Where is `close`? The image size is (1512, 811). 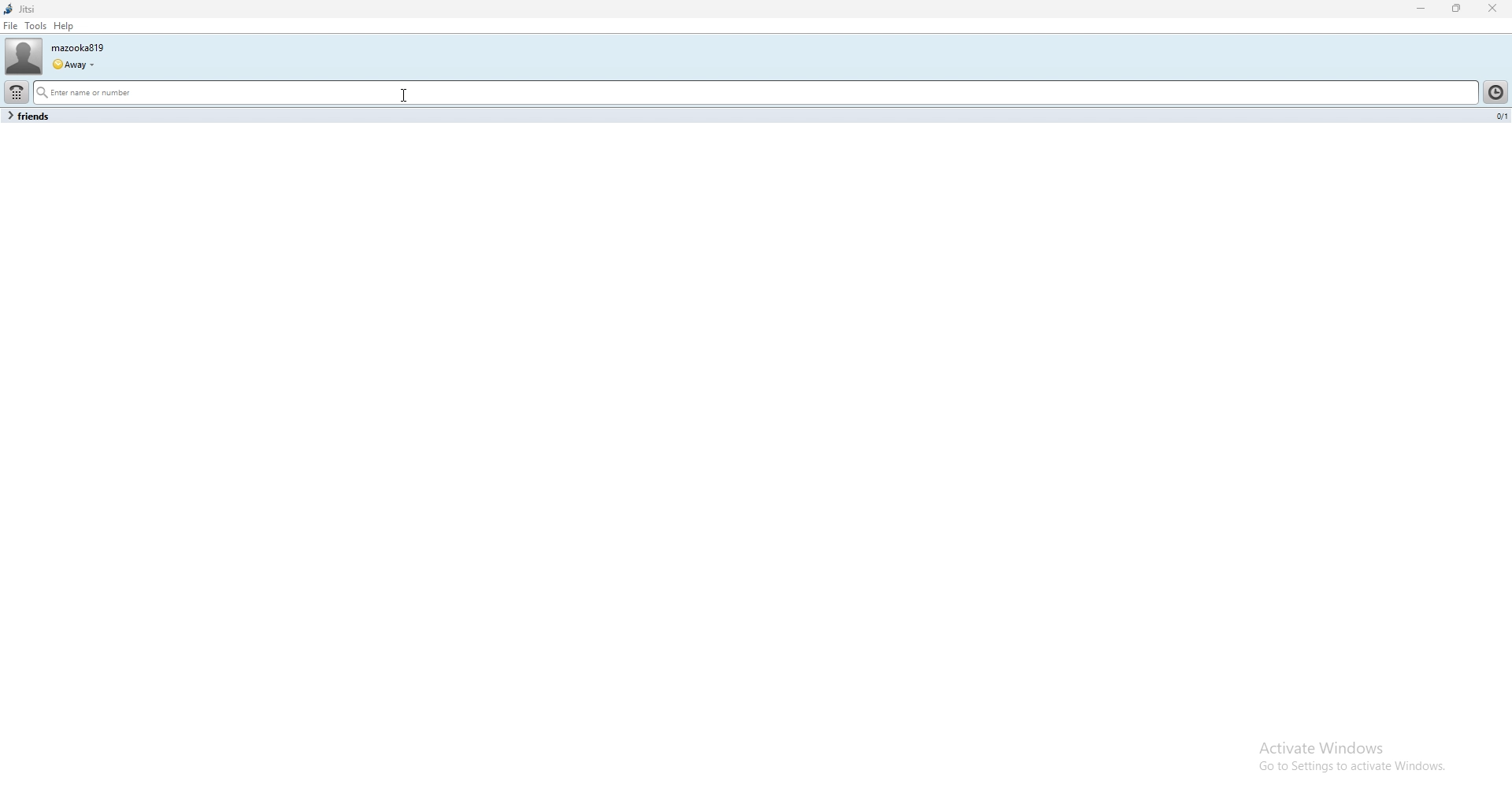
close is located at coordinates (1495, 8).